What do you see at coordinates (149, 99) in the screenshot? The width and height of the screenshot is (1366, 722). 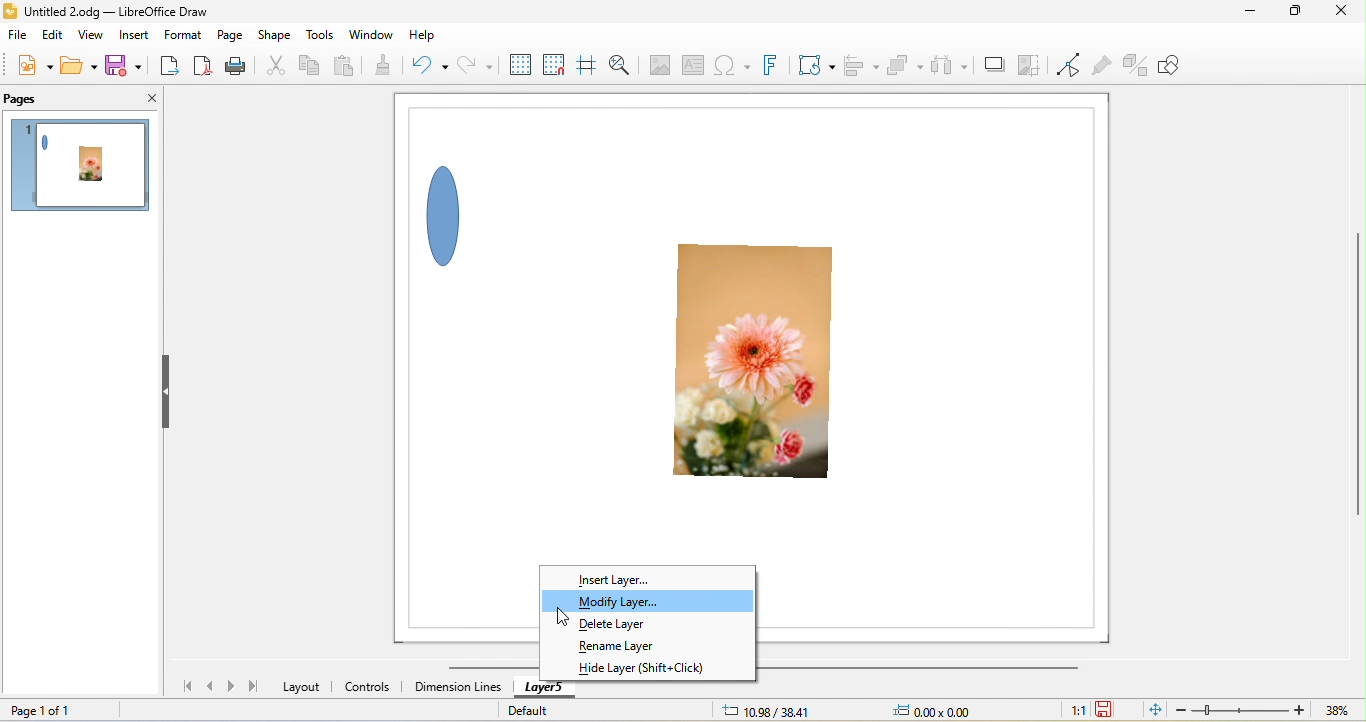 I see `close` at bounding box center [149, 99].